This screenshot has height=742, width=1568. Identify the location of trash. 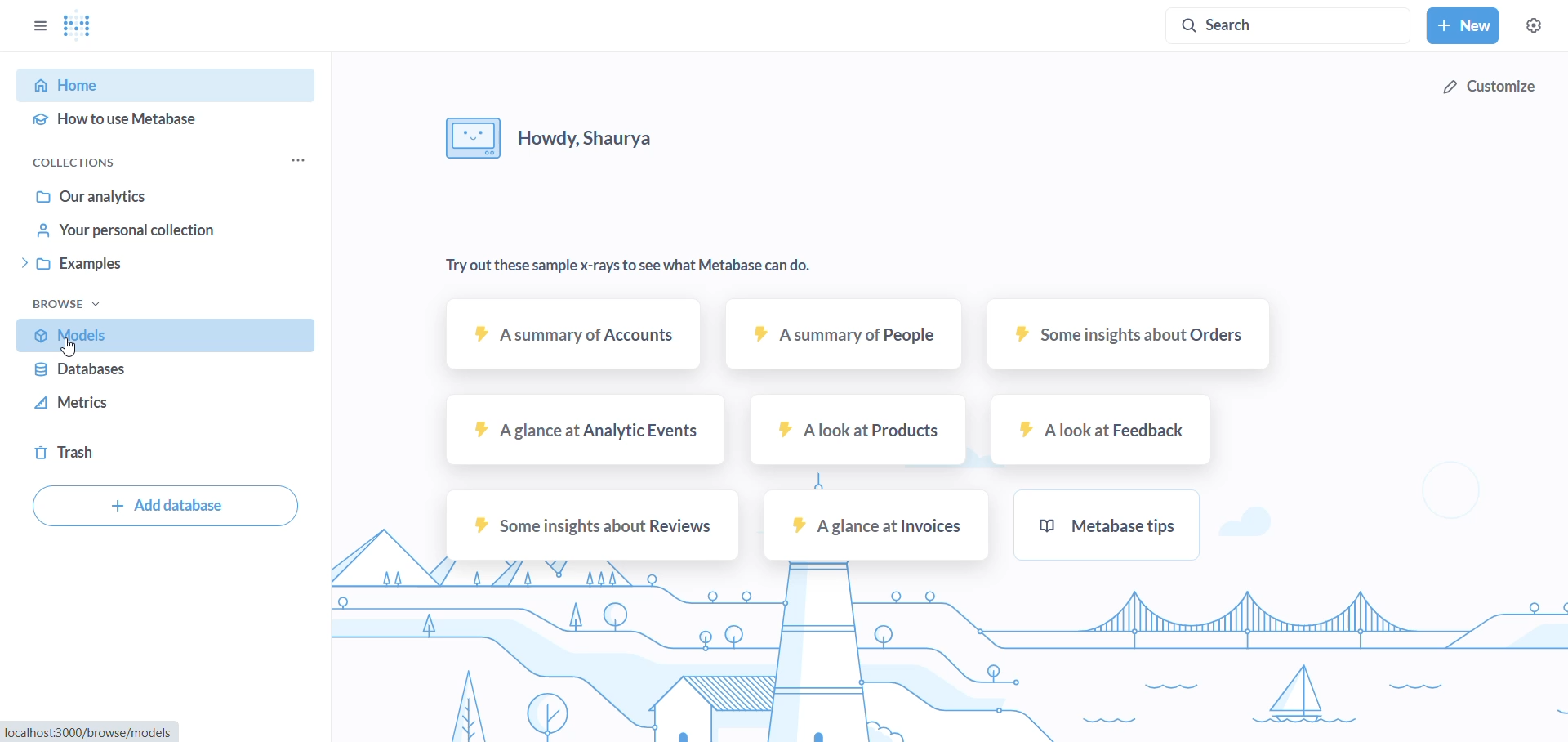
(159, 451).